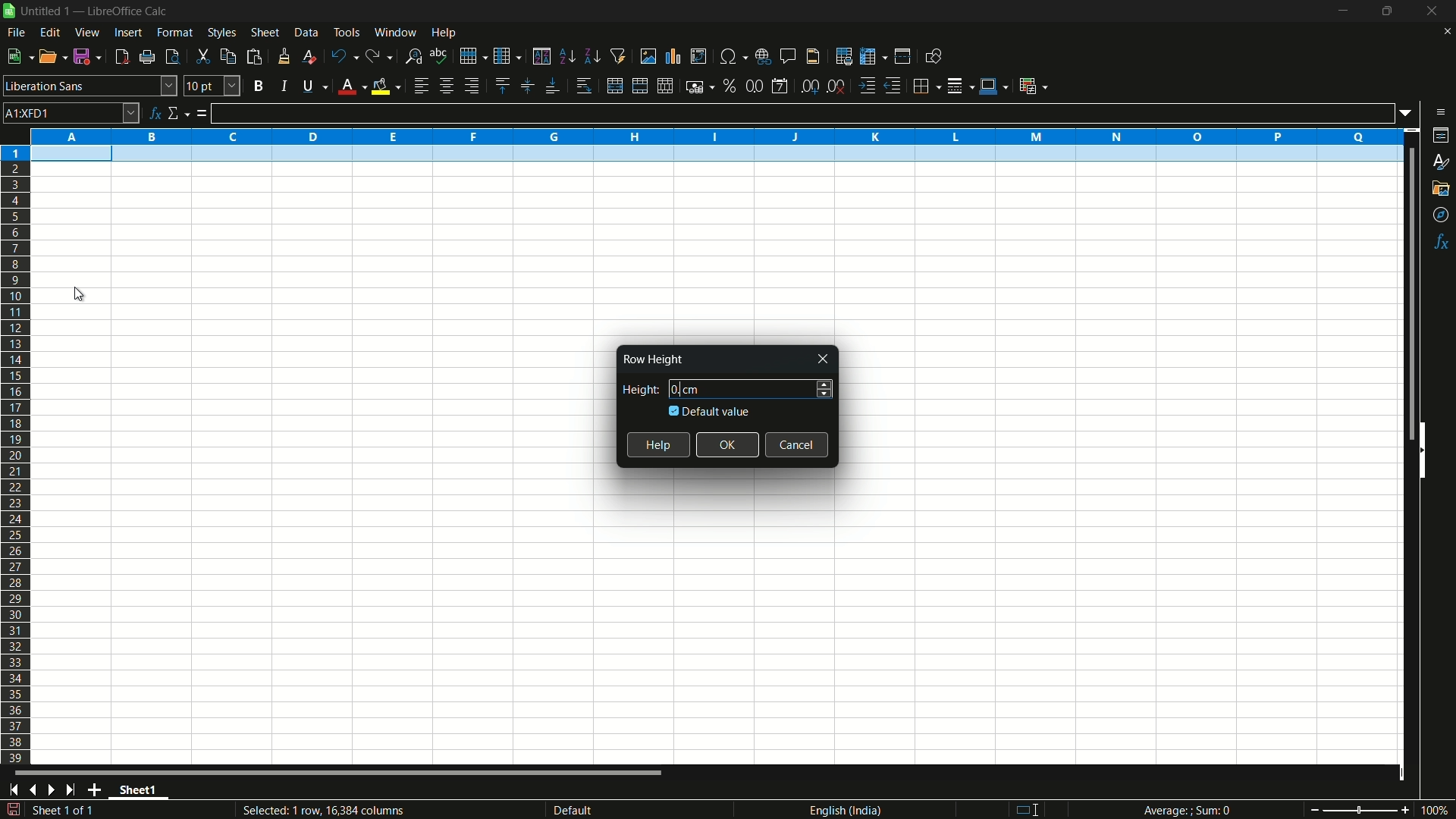 The width and height of the screenshot is (1456, 819). Describe the element at coordinates (71, 112) in the screenshot. I see `cell name` at that location.